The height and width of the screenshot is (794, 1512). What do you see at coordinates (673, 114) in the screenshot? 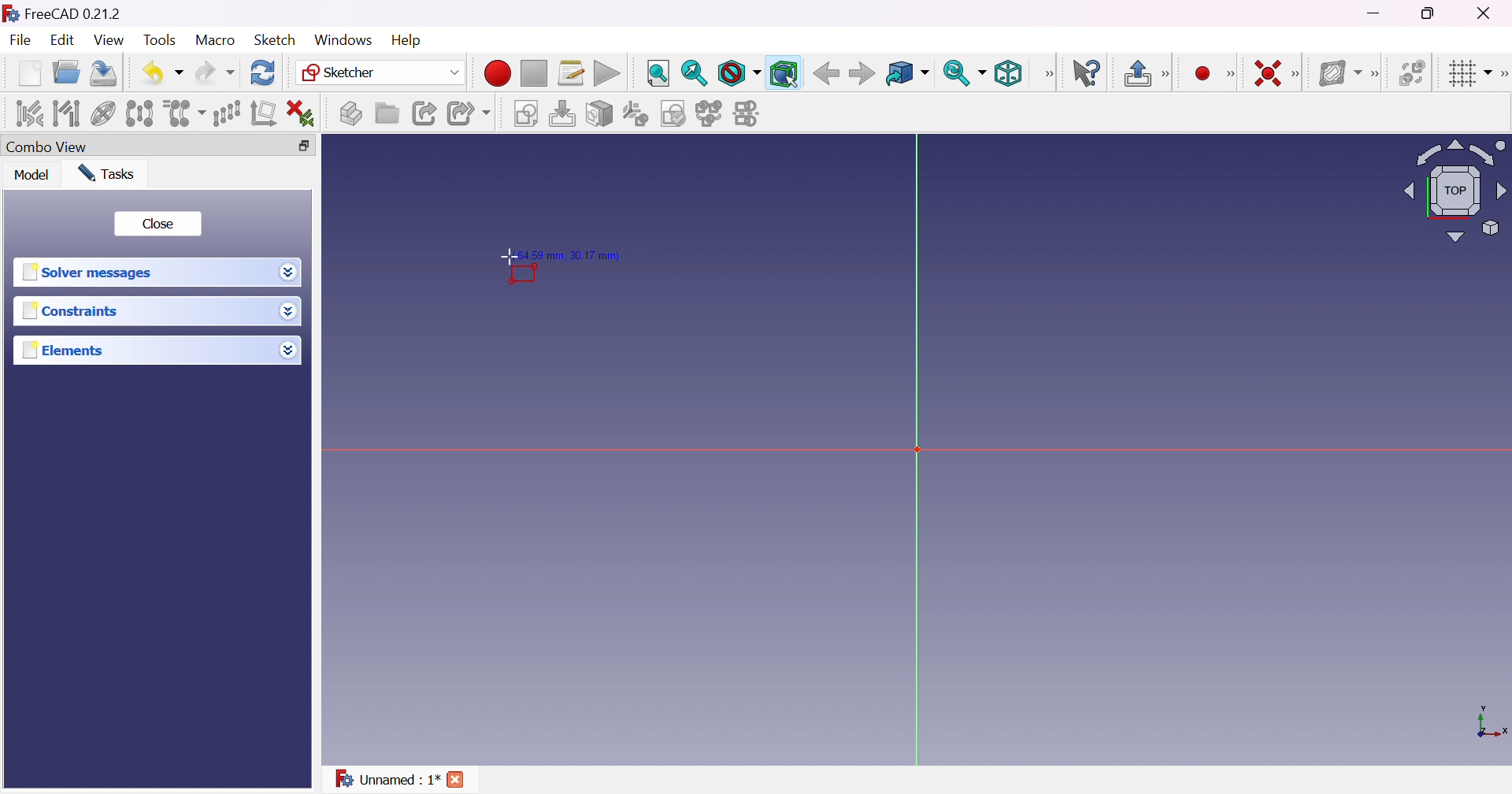
I see `Validate sketch...` at bounding box center [673, 114].